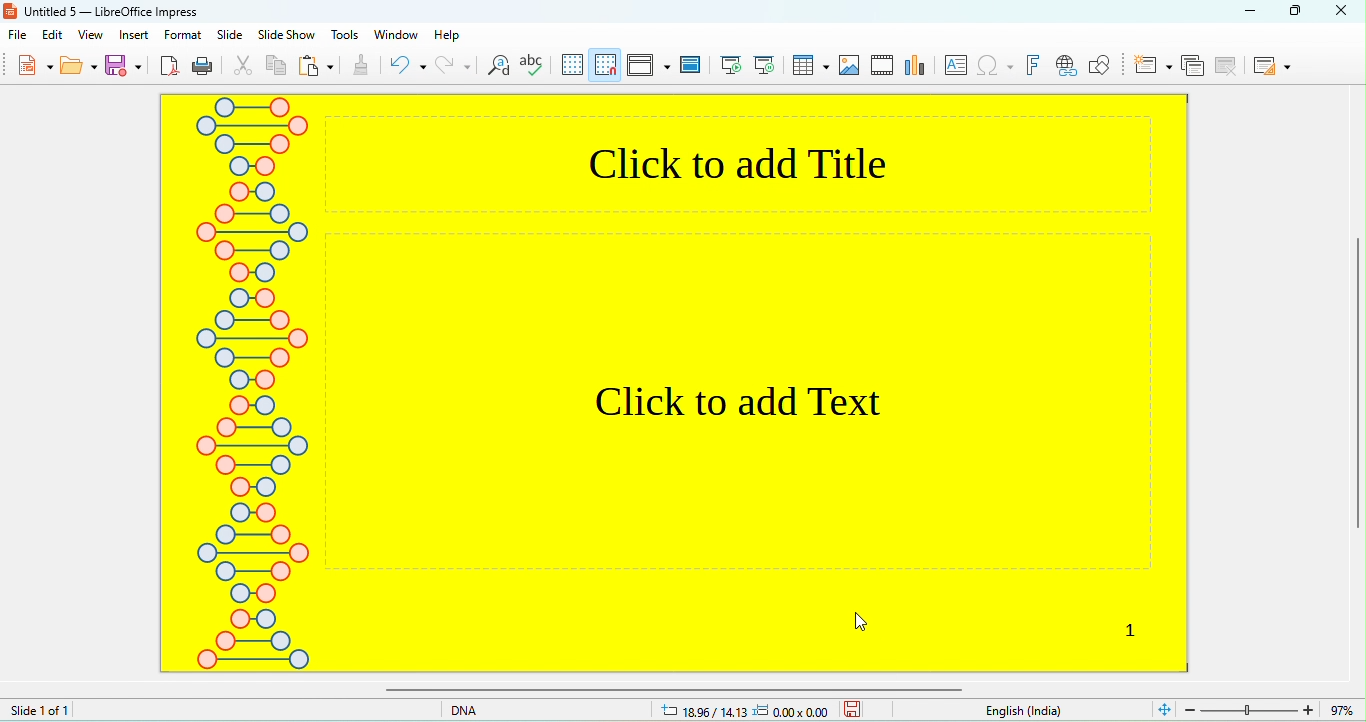  I want to click on show draw functions, so click(1099, 65).